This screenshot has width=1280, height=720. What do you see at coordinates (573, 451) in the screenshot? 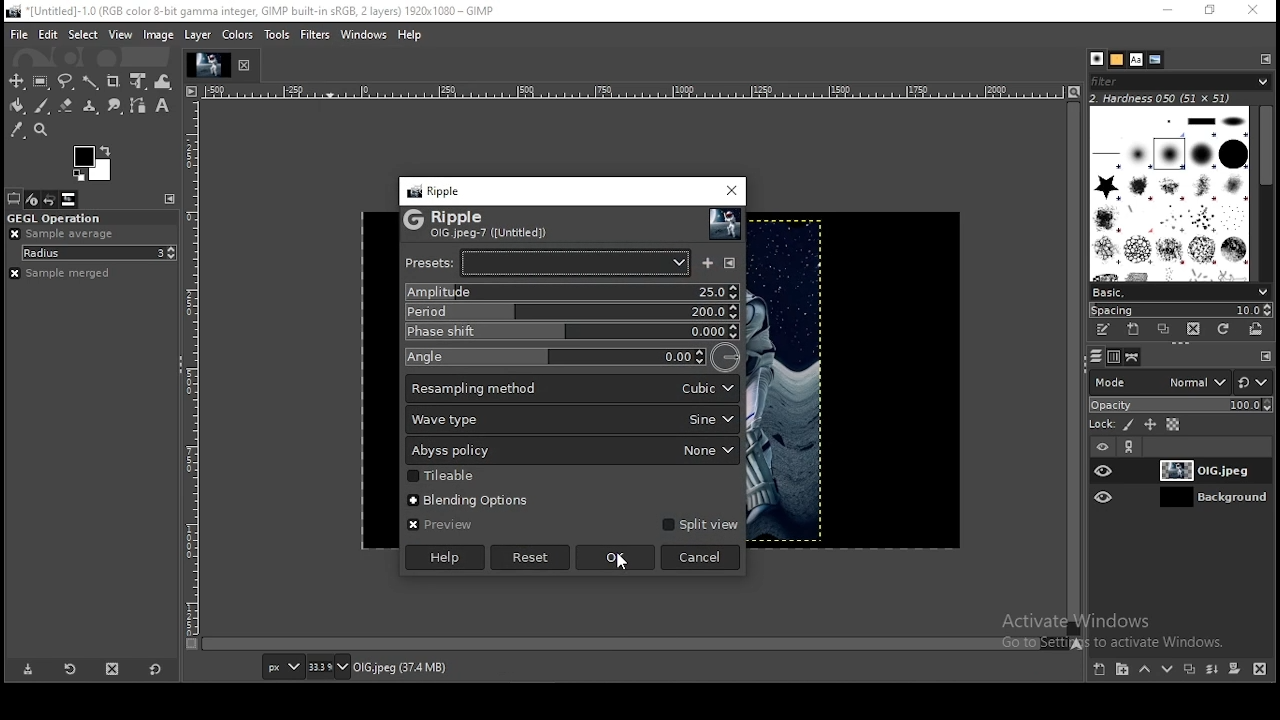
I see `abyss policy` at bounding box center [573, 451].